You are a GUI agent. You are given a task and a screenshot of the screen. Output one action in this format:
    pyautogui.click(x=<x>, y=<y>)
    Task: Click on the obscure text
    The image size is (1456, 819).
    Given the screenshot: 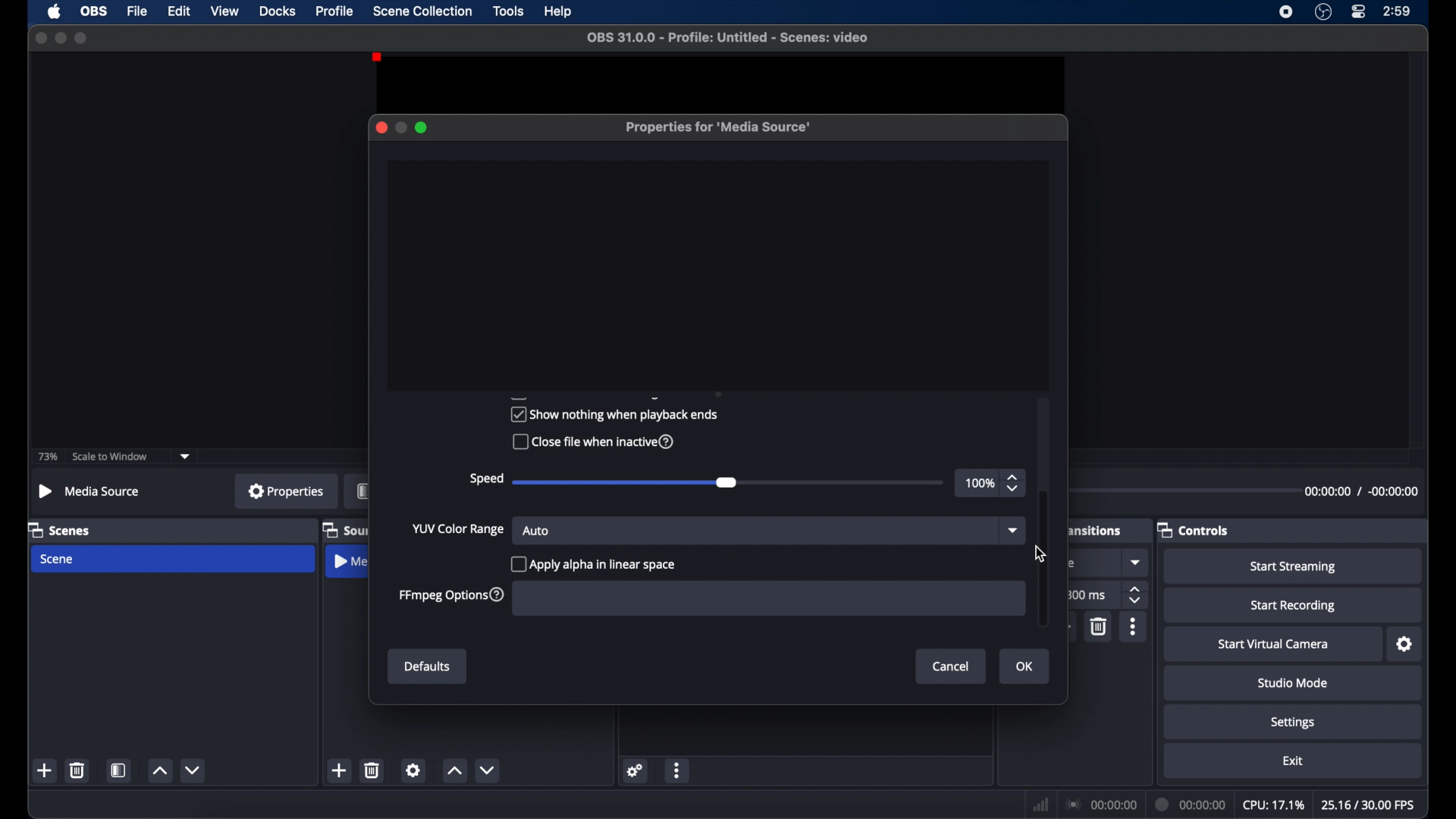 What is the action you would take?
    pyautogui.click(x=1069, y=563)
    